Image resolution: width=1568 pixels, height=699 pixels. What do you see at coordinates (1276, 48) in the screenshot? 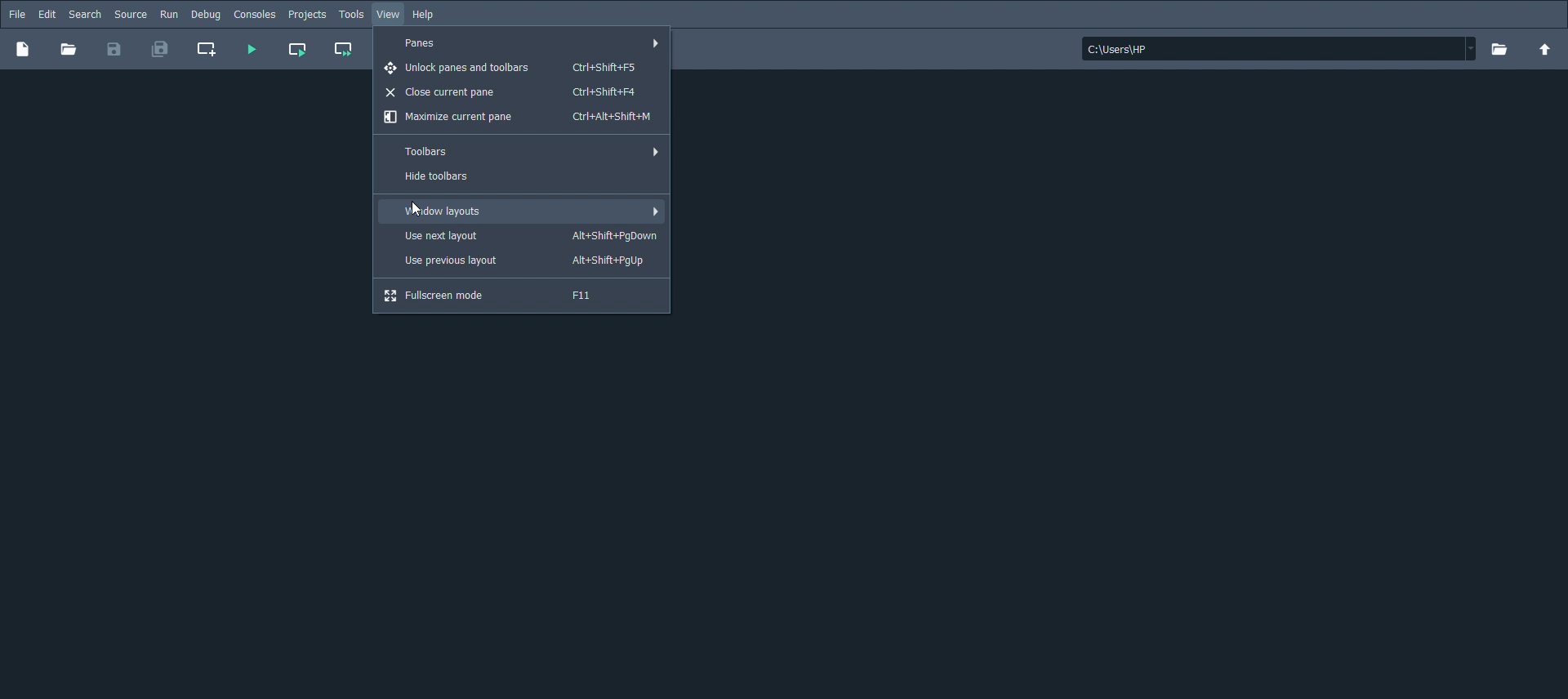
I see `File location` at bounding box center [1276, 48].